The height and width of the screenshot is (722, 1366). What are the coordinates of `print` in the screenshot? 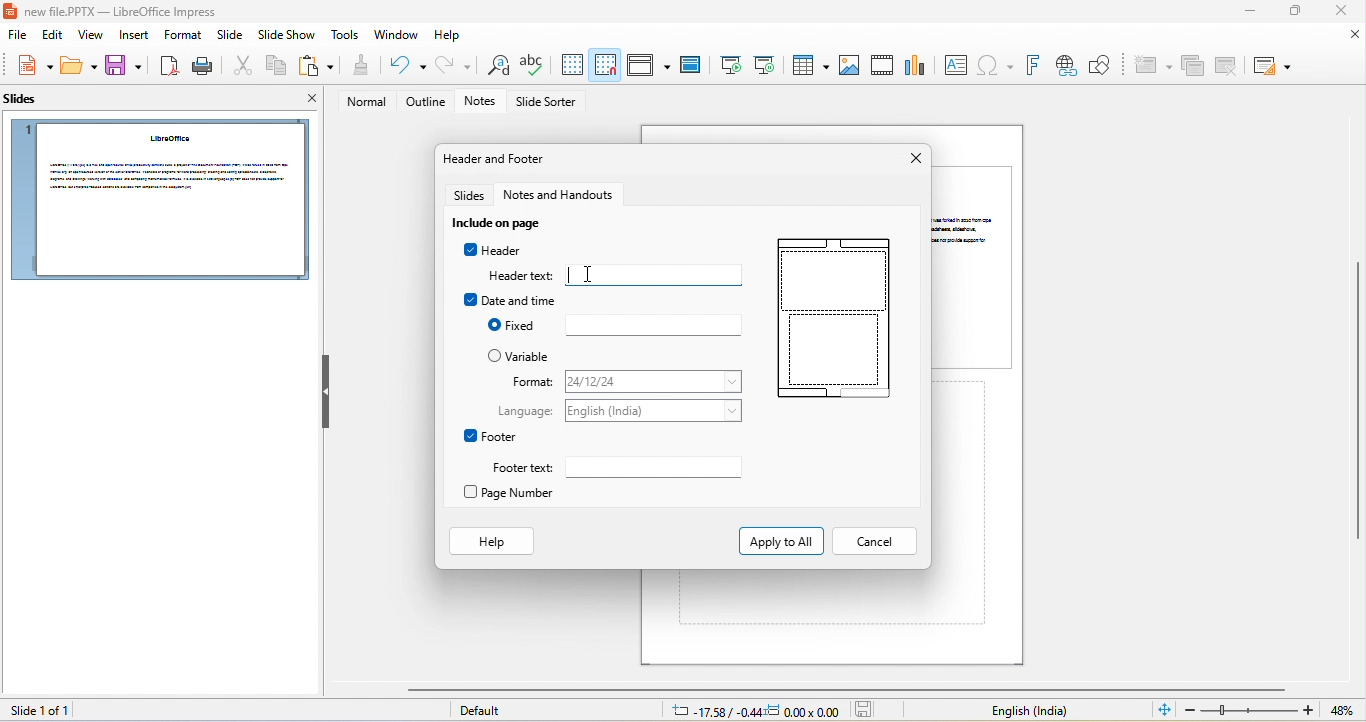 It's located at (201, 66).